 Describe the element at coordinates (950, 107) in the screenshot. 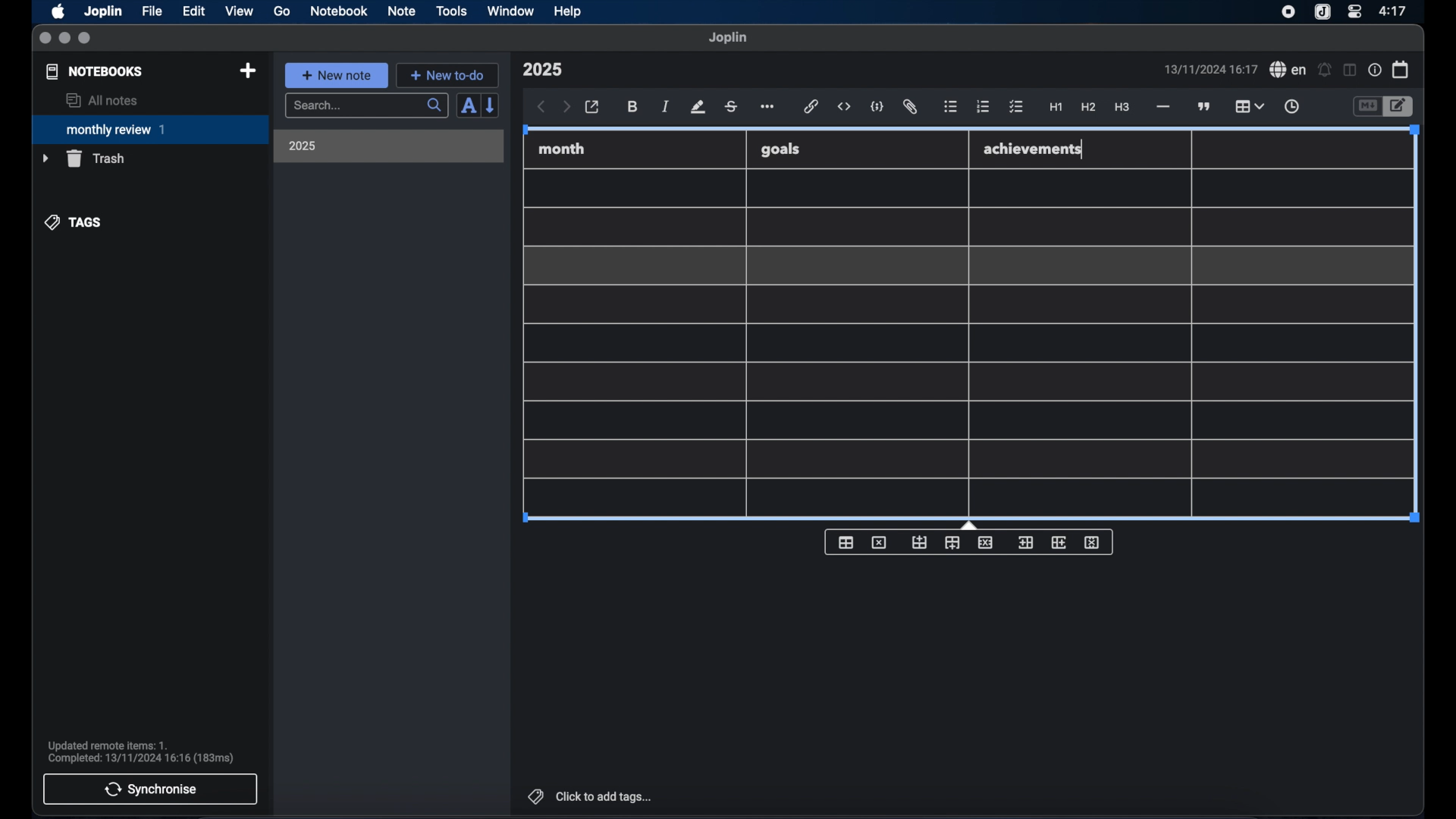

I see `bulleted list` at that location.